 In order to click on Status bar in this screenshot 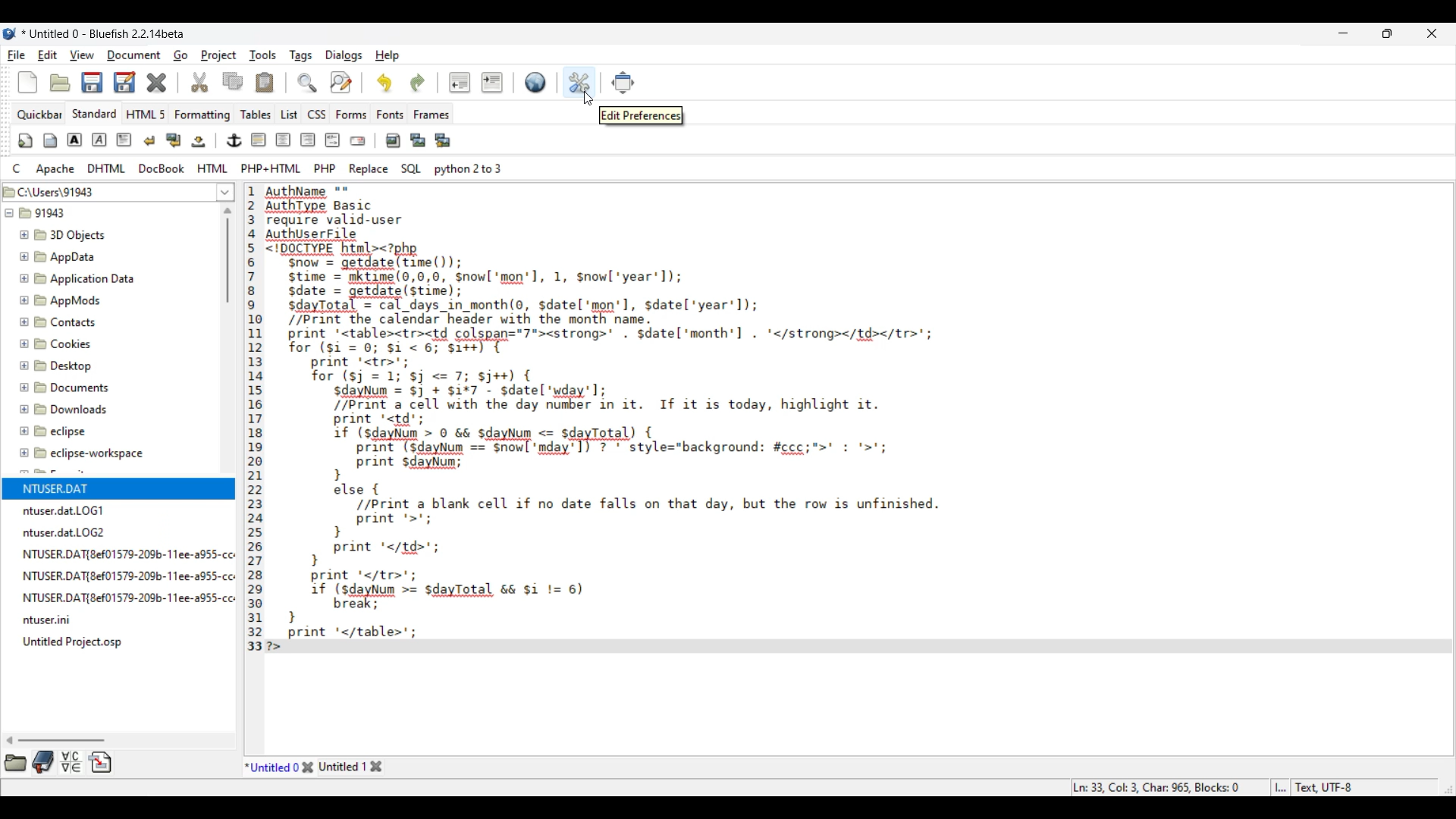, I will do `click(1215, 788)`.